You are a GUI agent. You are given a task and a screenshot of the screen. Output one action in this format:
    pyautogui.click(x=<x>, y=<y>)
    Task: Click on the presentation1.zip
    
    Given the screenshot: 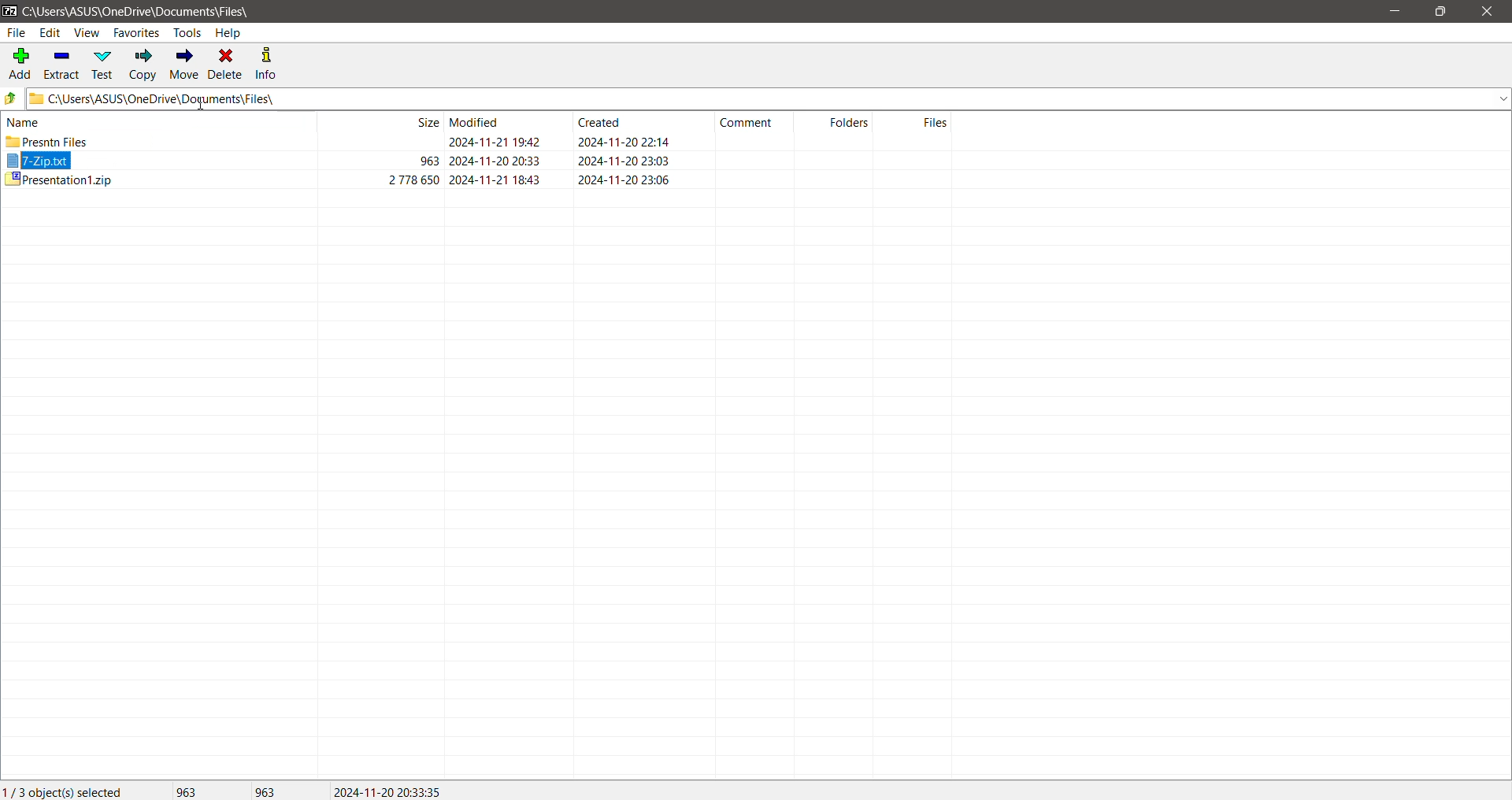 What is the action you would take?
    pyautogui.click(x=59, y=179)
    